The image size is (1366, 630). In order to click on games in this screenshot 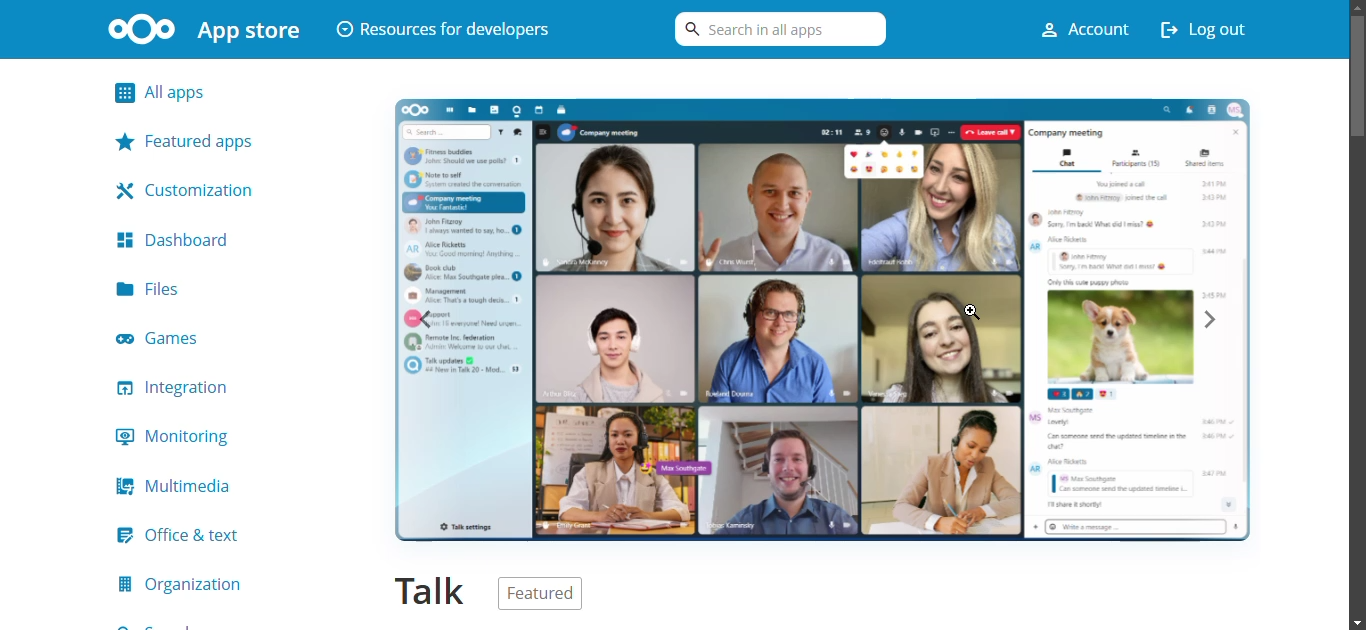, I will do `click(175, 338)`.